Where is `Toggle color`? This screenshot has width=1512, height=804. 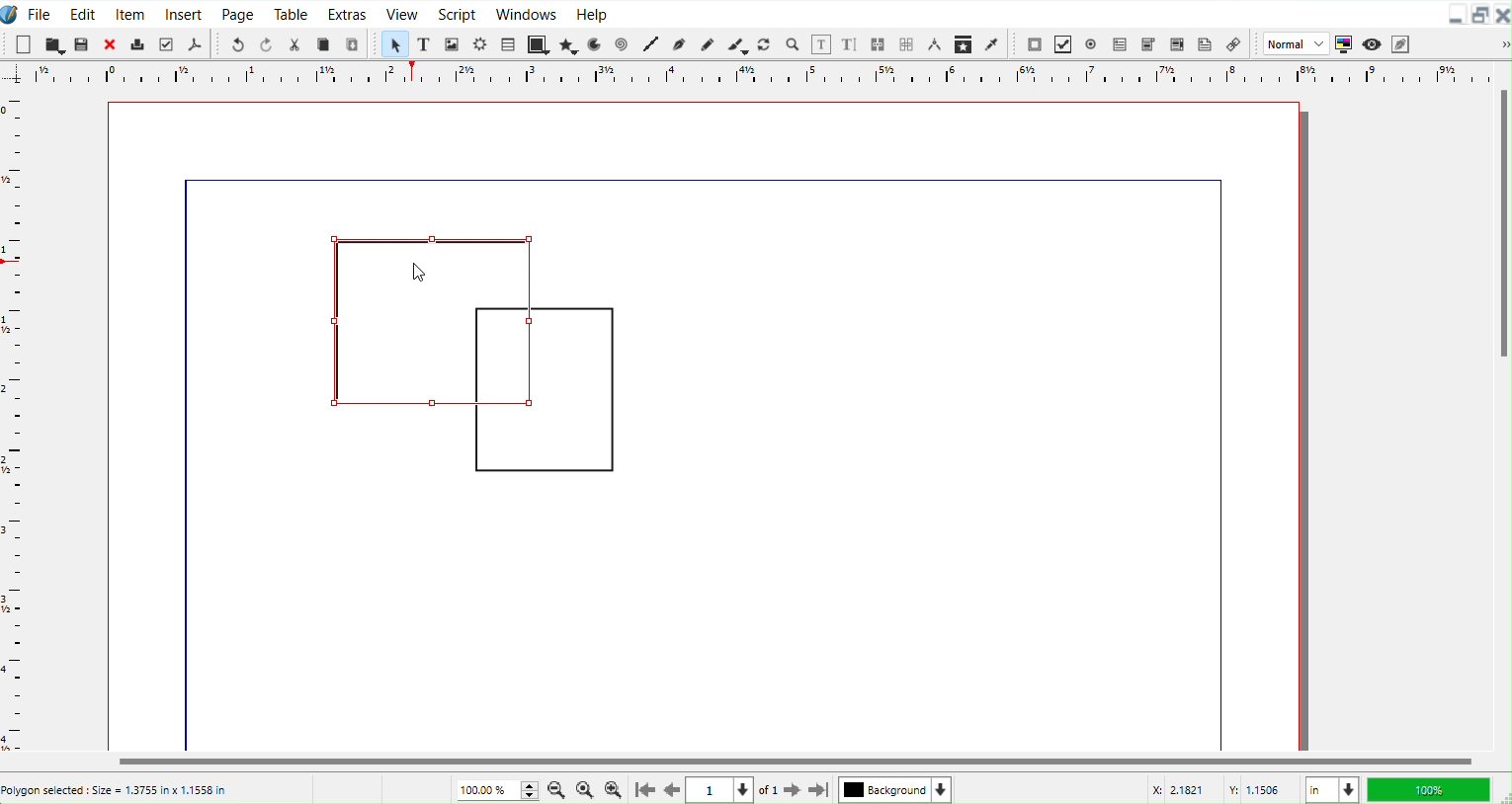 Toggle color is located at coordinates (1342, 44).